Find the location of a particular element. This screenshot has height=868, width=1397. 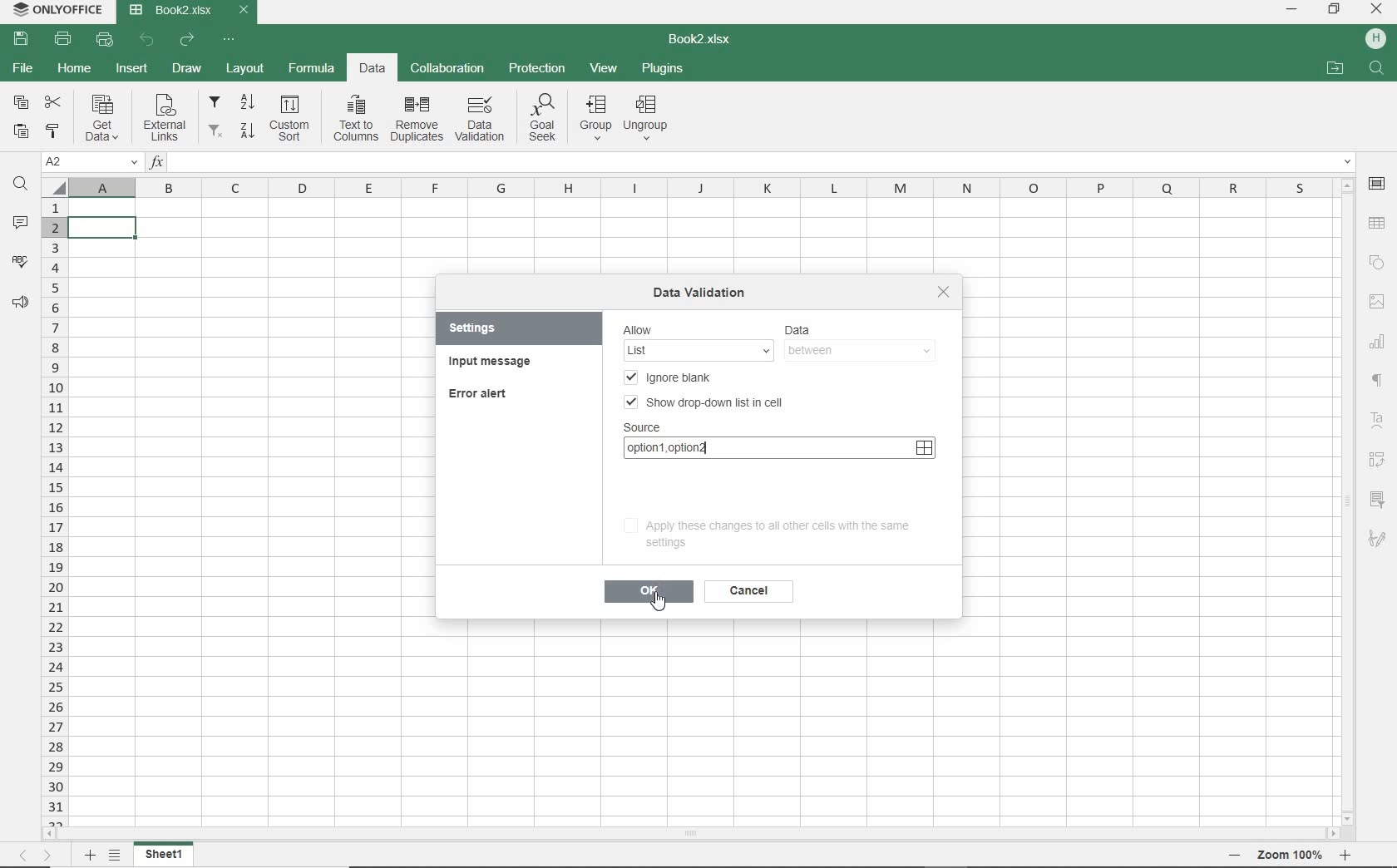

ANY VALUE is located at coordinates (699, 350).